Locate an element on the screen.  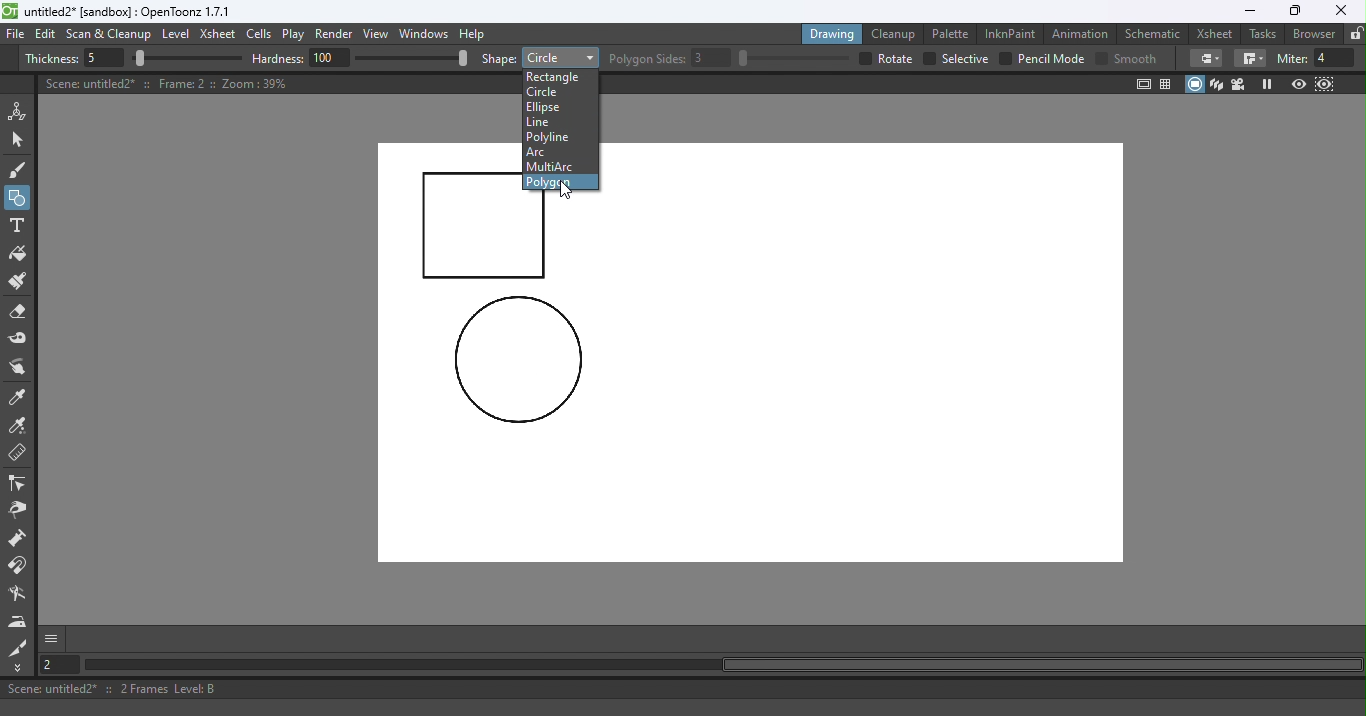
Field guide is located at coordinates (1169, 83).